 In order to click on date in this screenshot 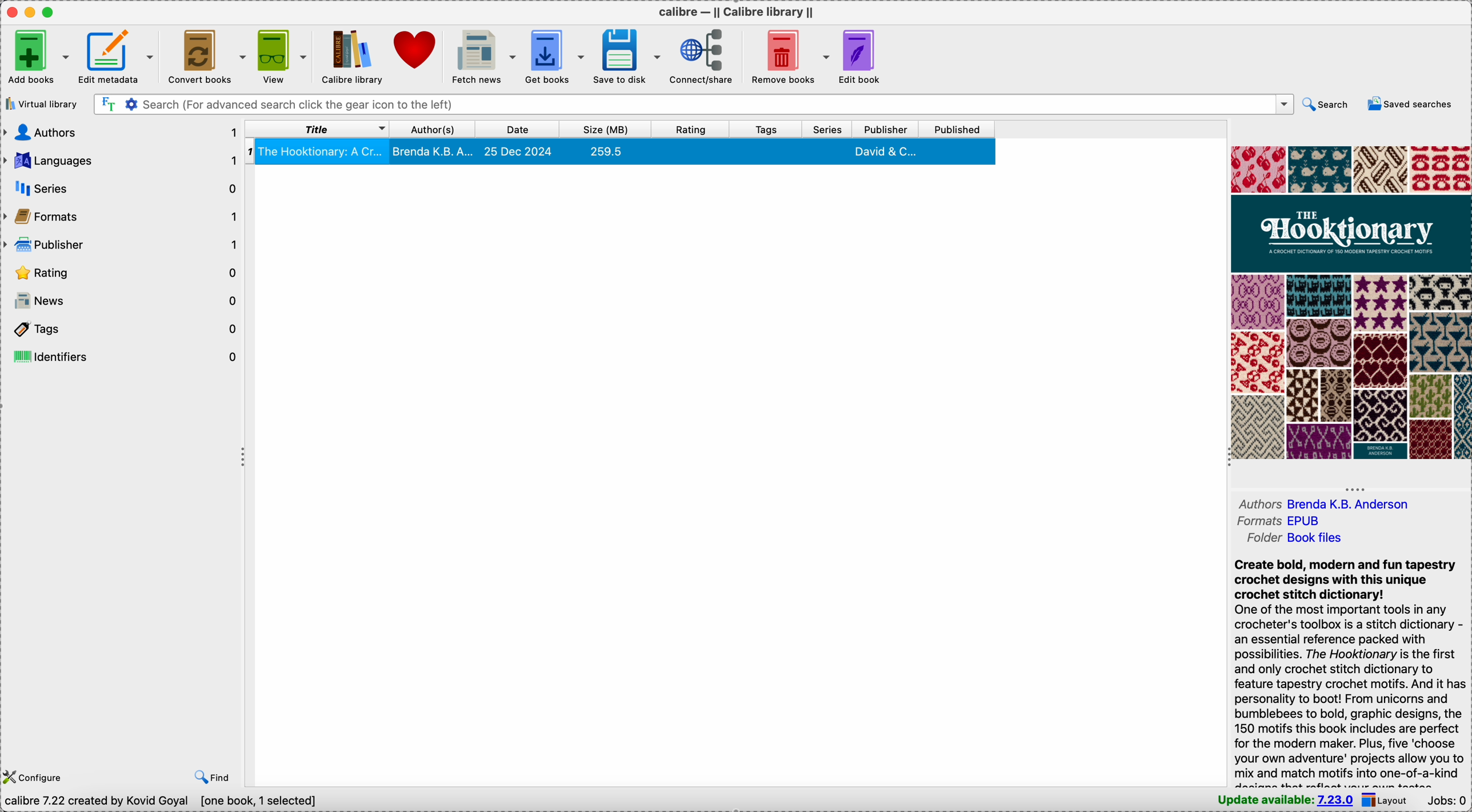, I will do `click(517, 129)`.